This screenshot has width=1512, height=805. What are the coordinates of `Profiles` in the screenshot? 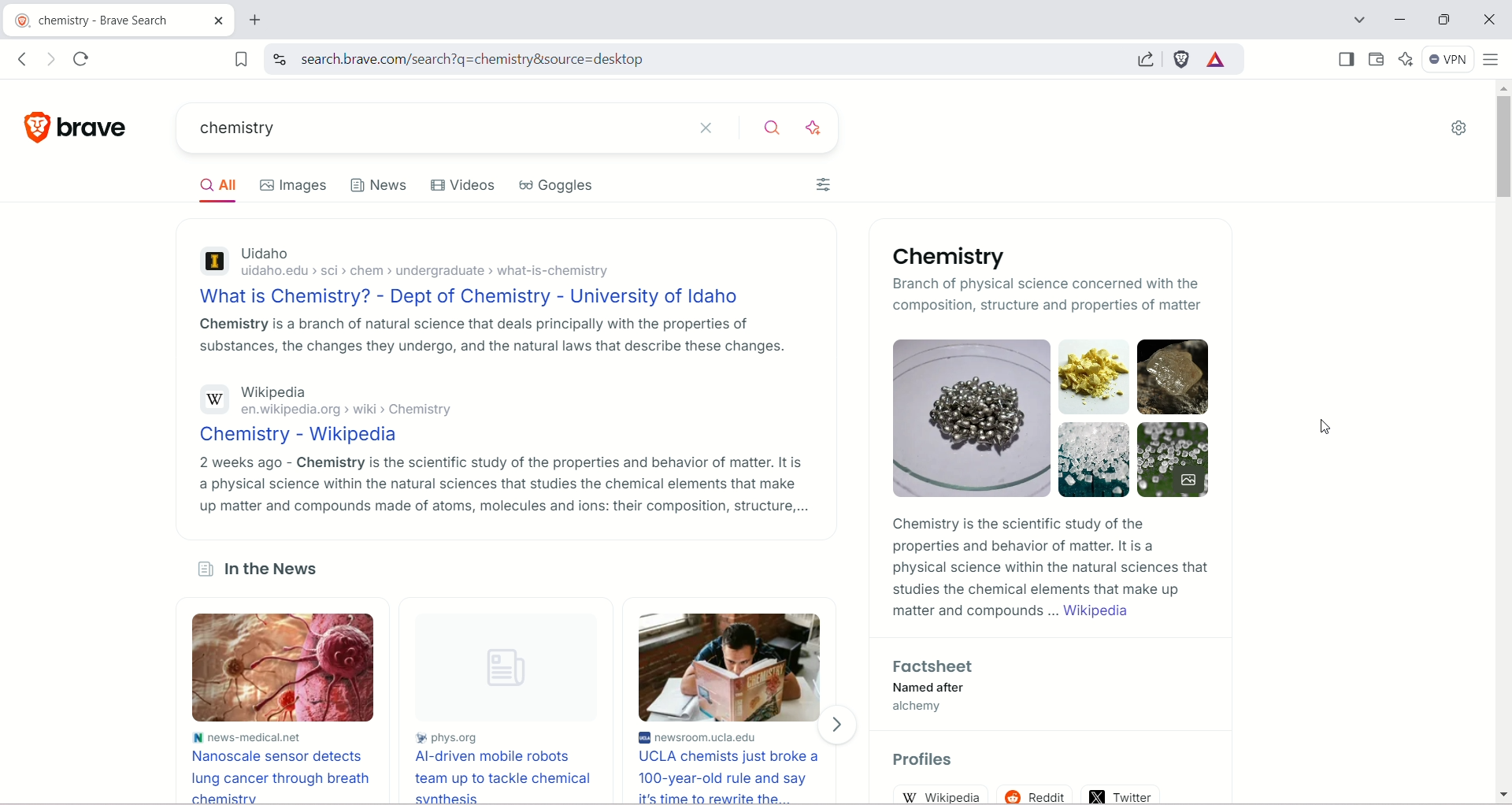 It's located at (928, 755).